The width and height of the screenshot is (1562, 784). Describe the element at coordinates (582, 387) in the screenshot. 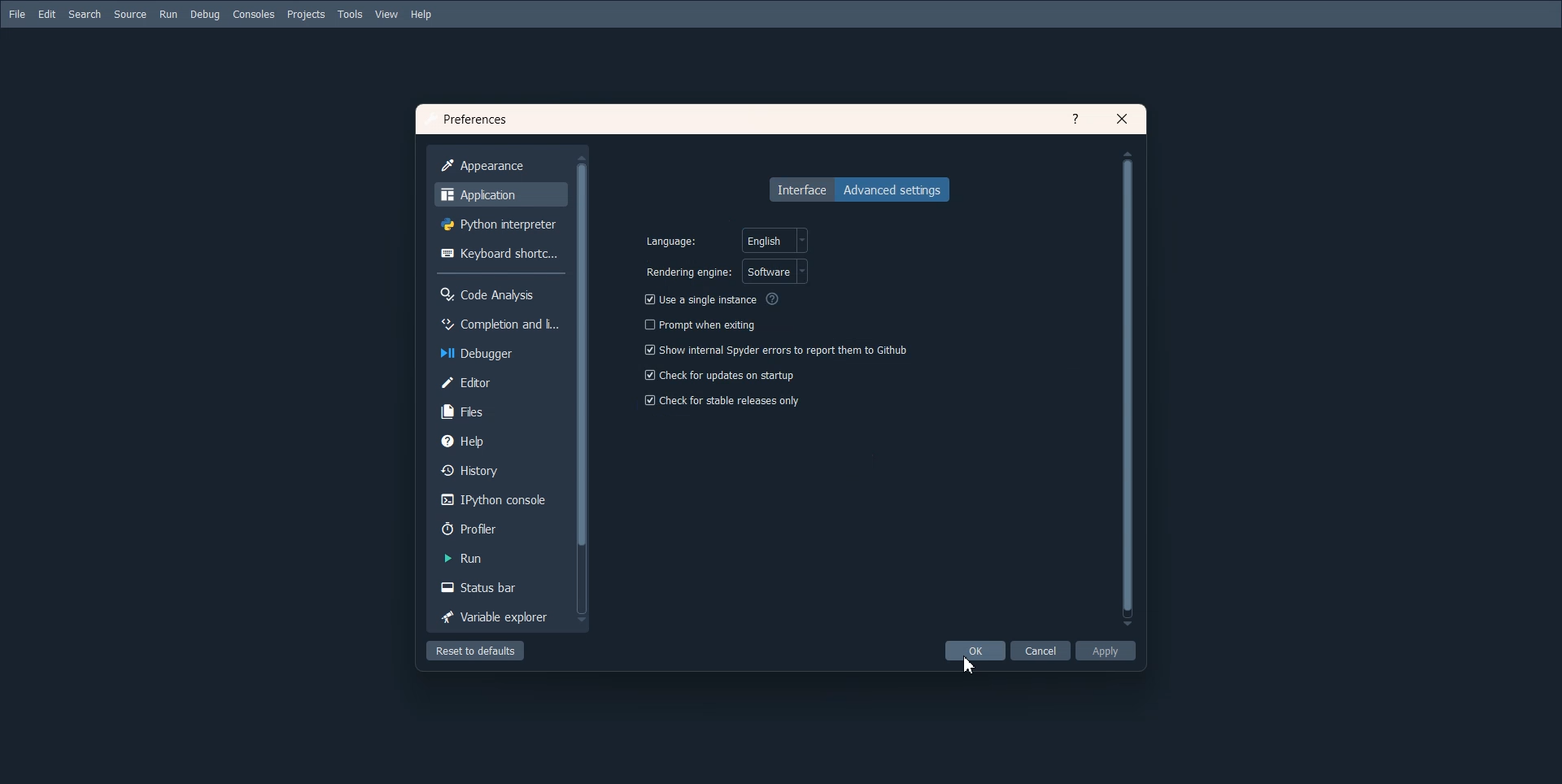

I see `Vertical scroll bar` at that location.